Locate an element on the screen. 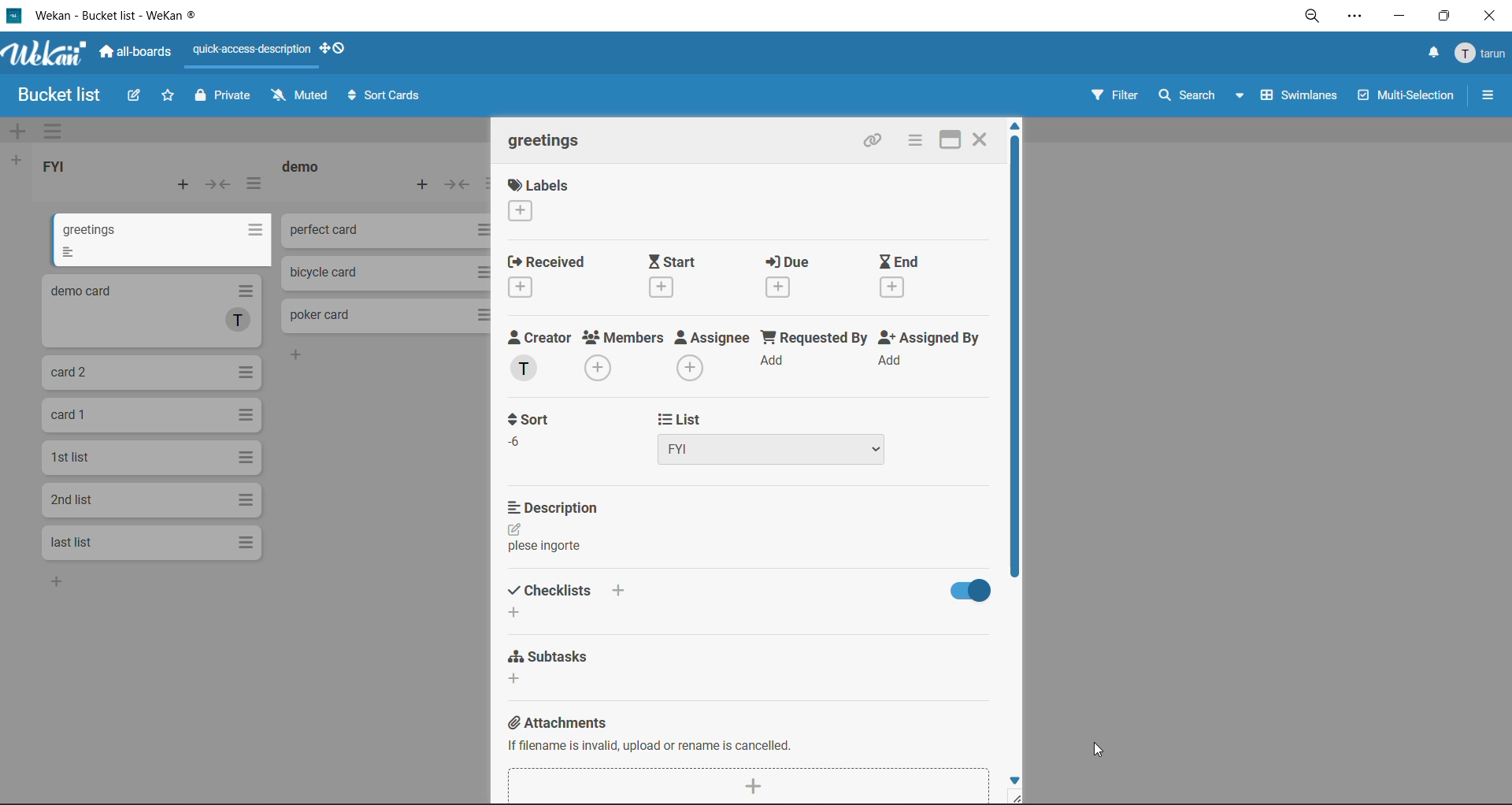 The image size is (1512, 805). card title is located at coordinates (540, 144).